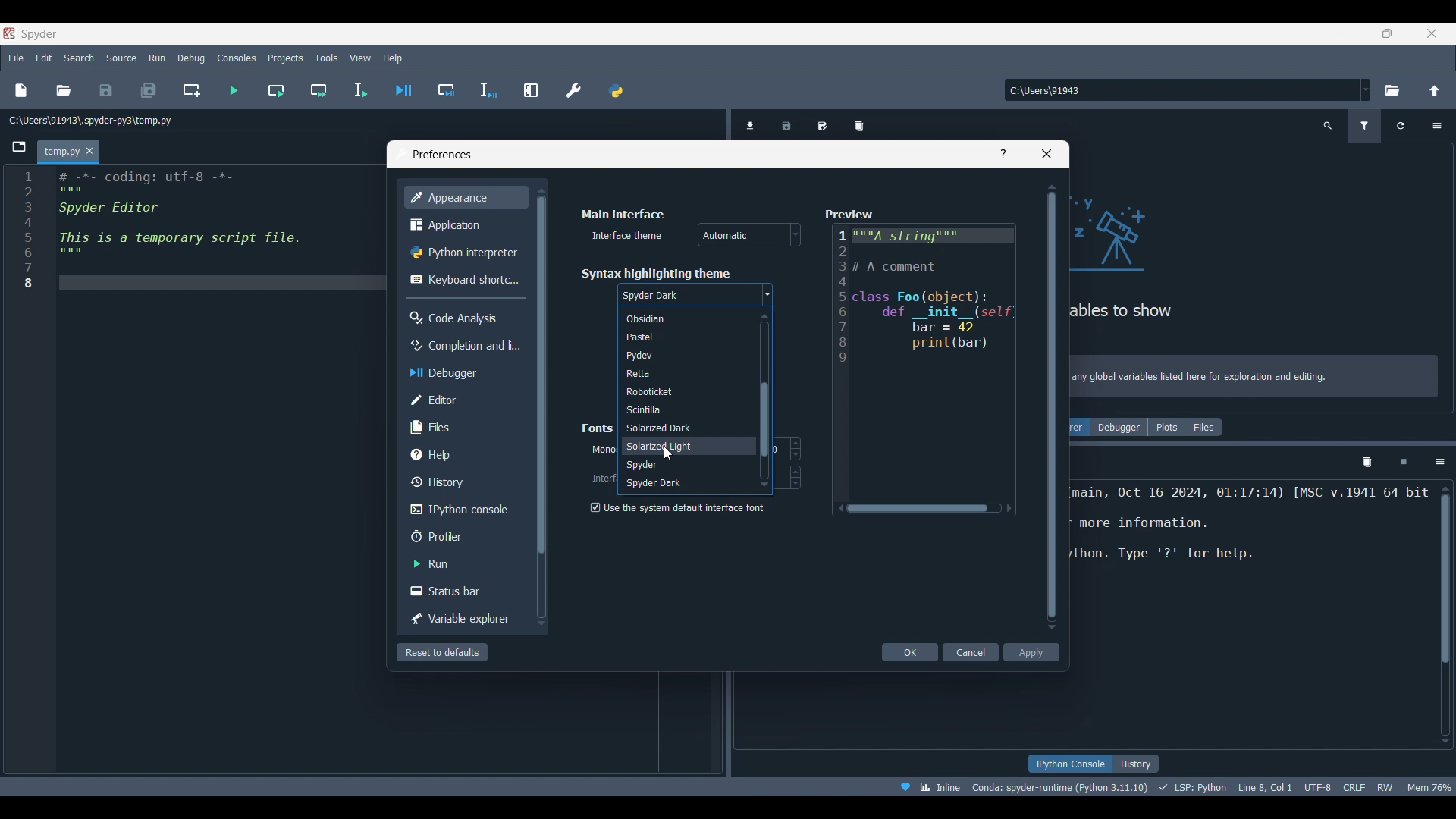 The height and width of the screenshot is (819, 1456). What do you see at coordinates (1432, 786) in the screenshot?
I see `memory usage` at bounding box center [1432, 786].